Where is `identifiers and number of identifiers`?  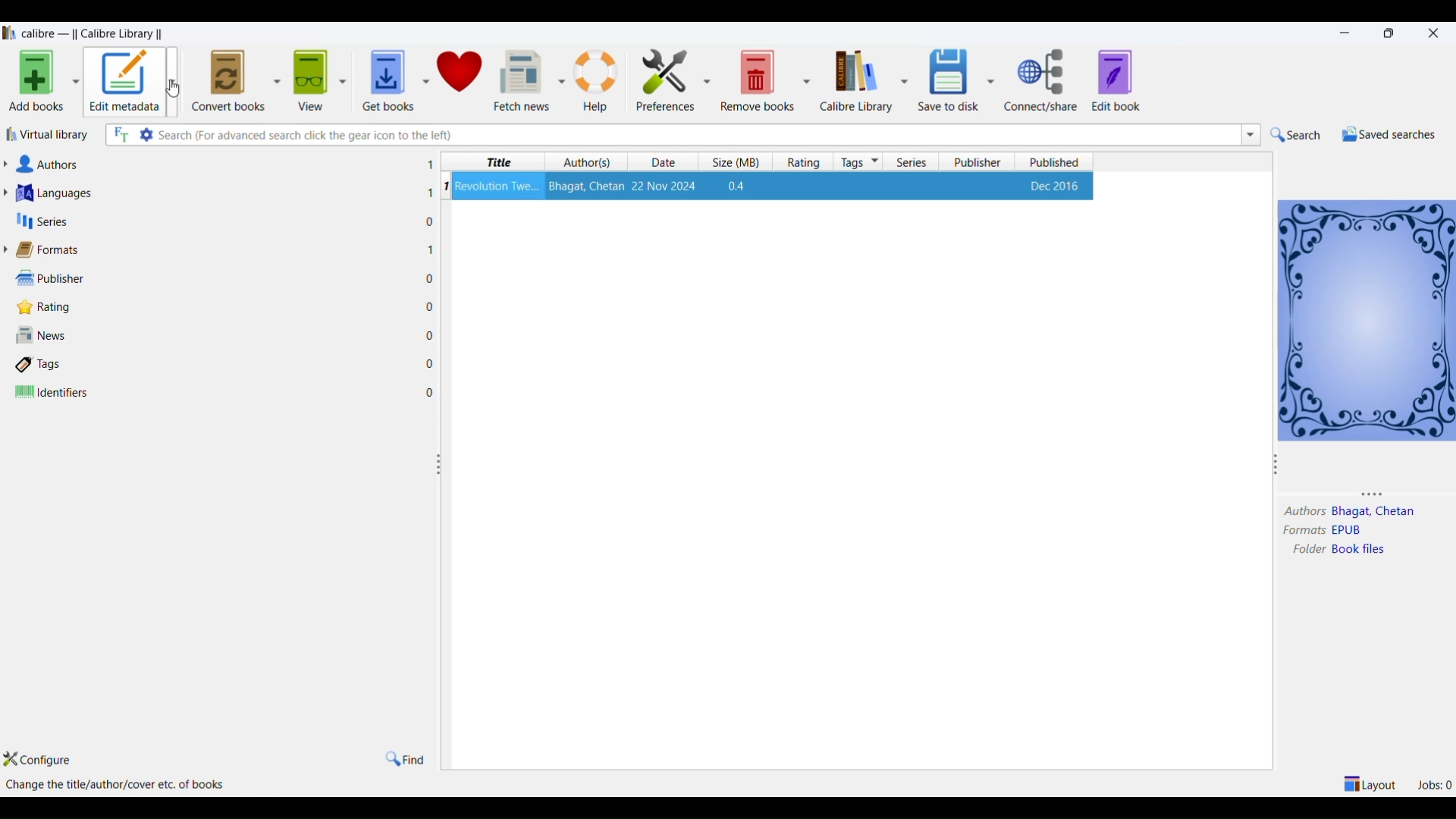
identifiers and number of identifiers is located at coordinates (52, 393).